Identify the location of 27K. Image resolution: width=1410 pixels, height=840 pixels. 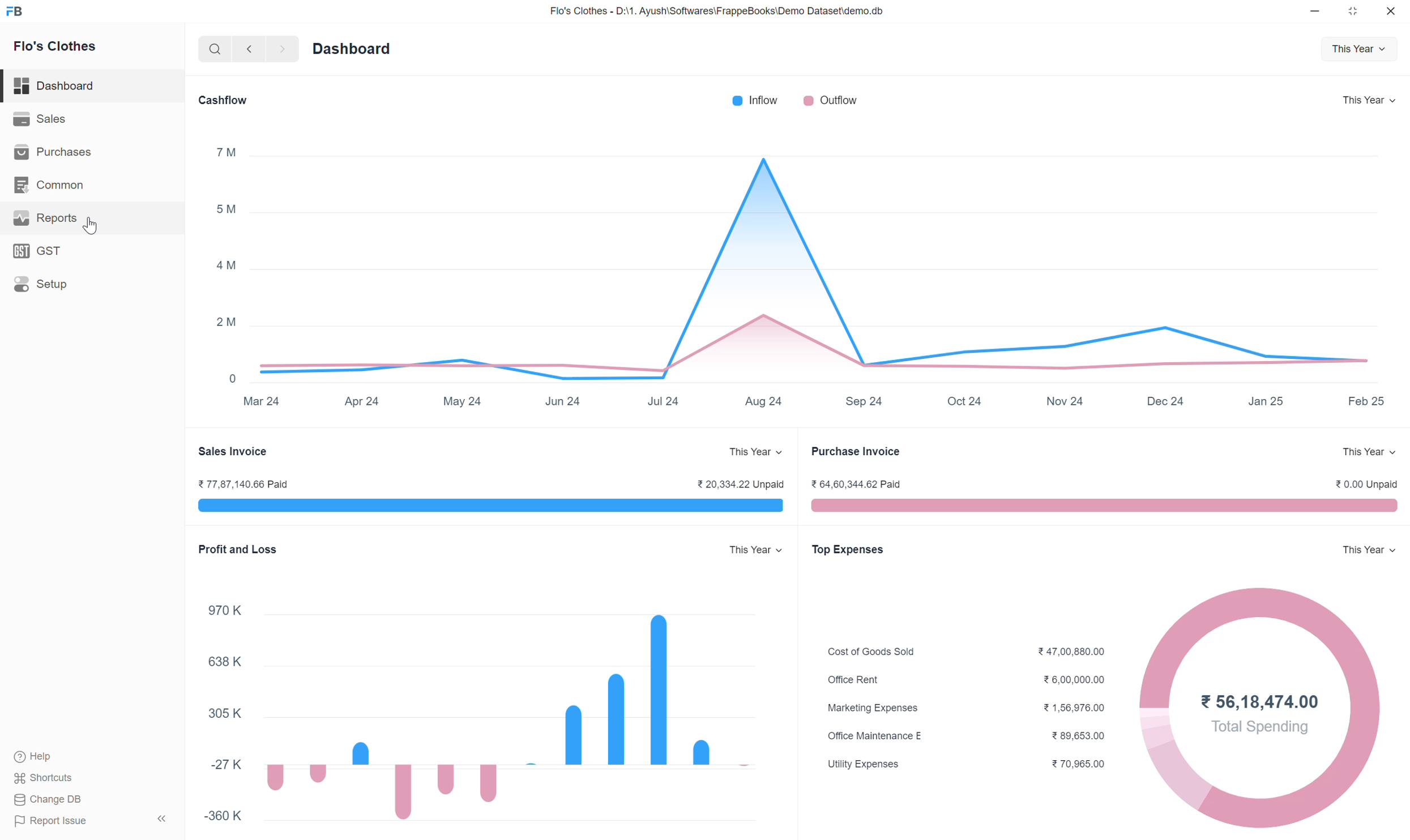
(225, 760).